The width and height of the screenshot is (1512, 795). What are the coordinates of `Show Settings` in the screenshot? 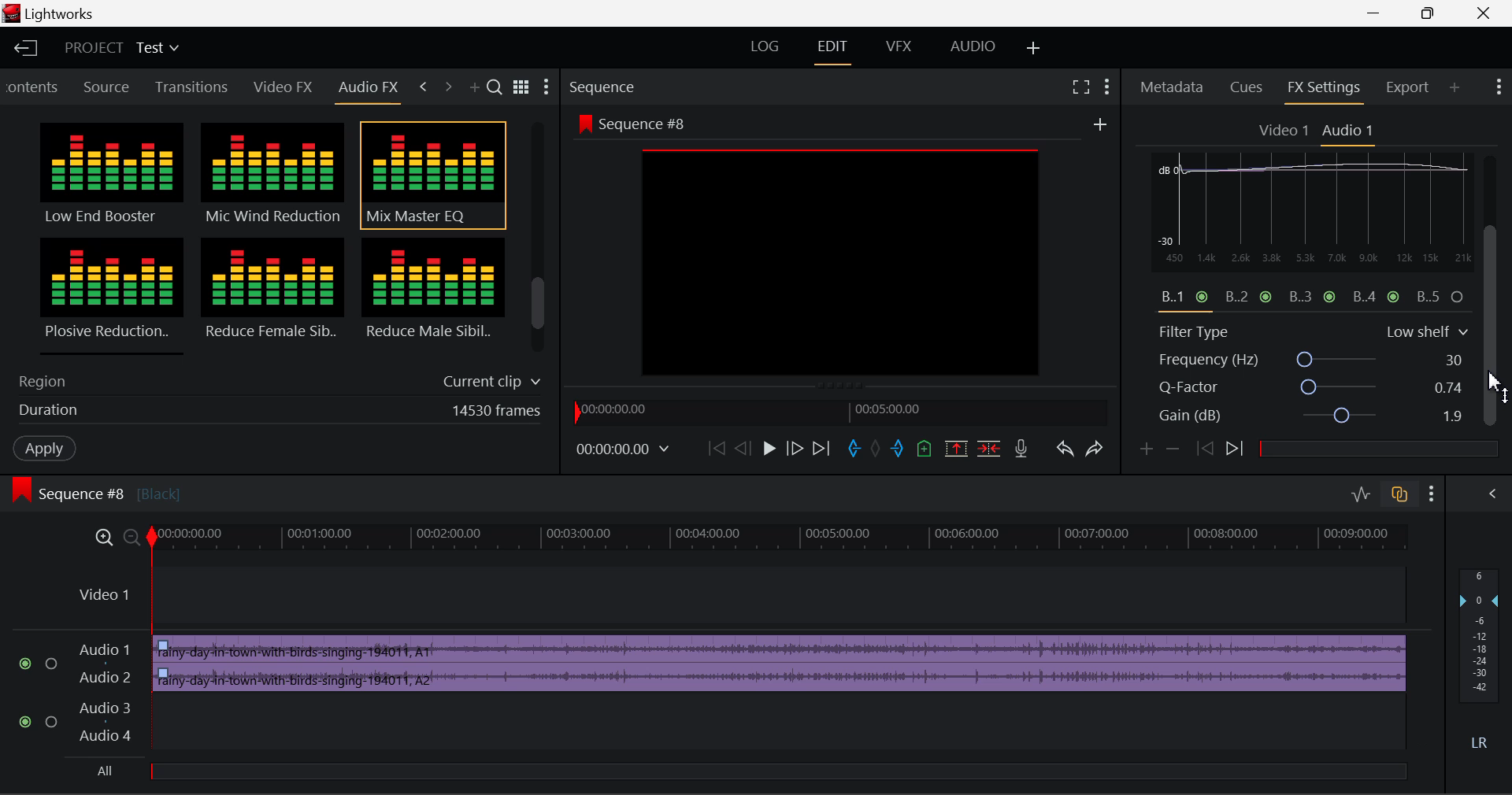 It's located at (1107, 87).